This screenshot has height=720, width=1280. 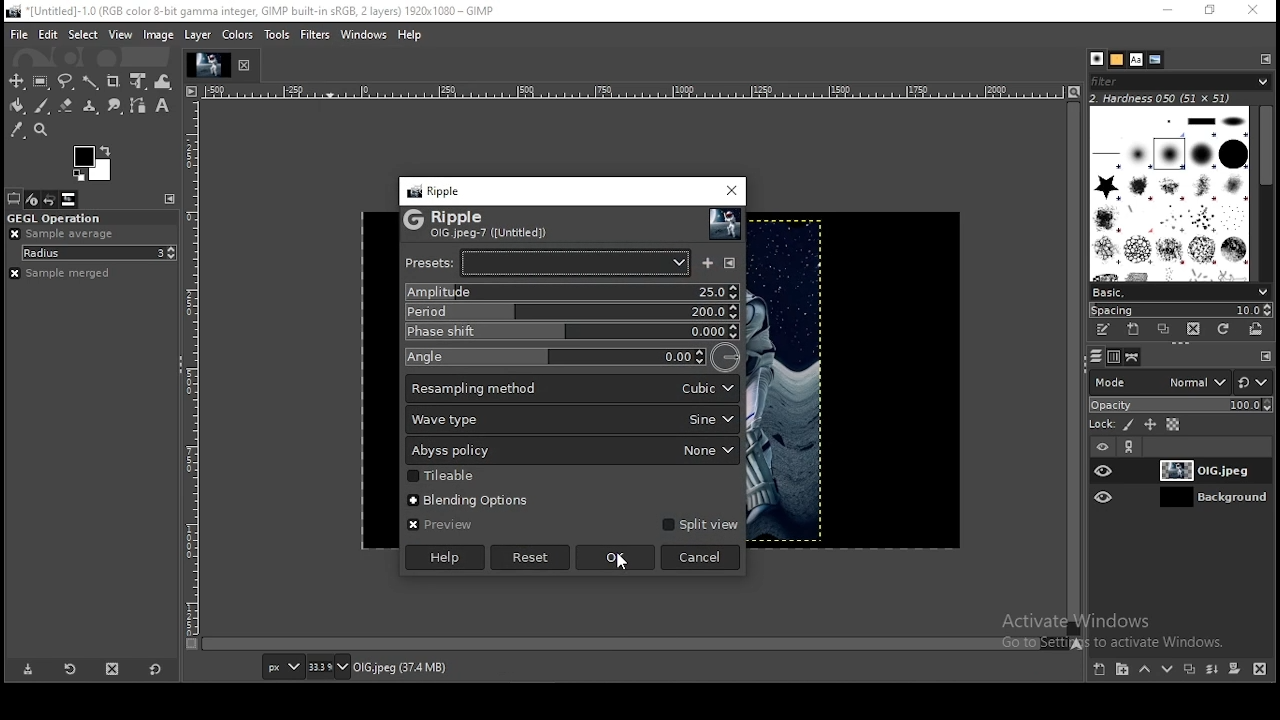 What do you see at coordinates (94, 162) in the screenshot?
I see `colors` at bounding box center [94, 162].